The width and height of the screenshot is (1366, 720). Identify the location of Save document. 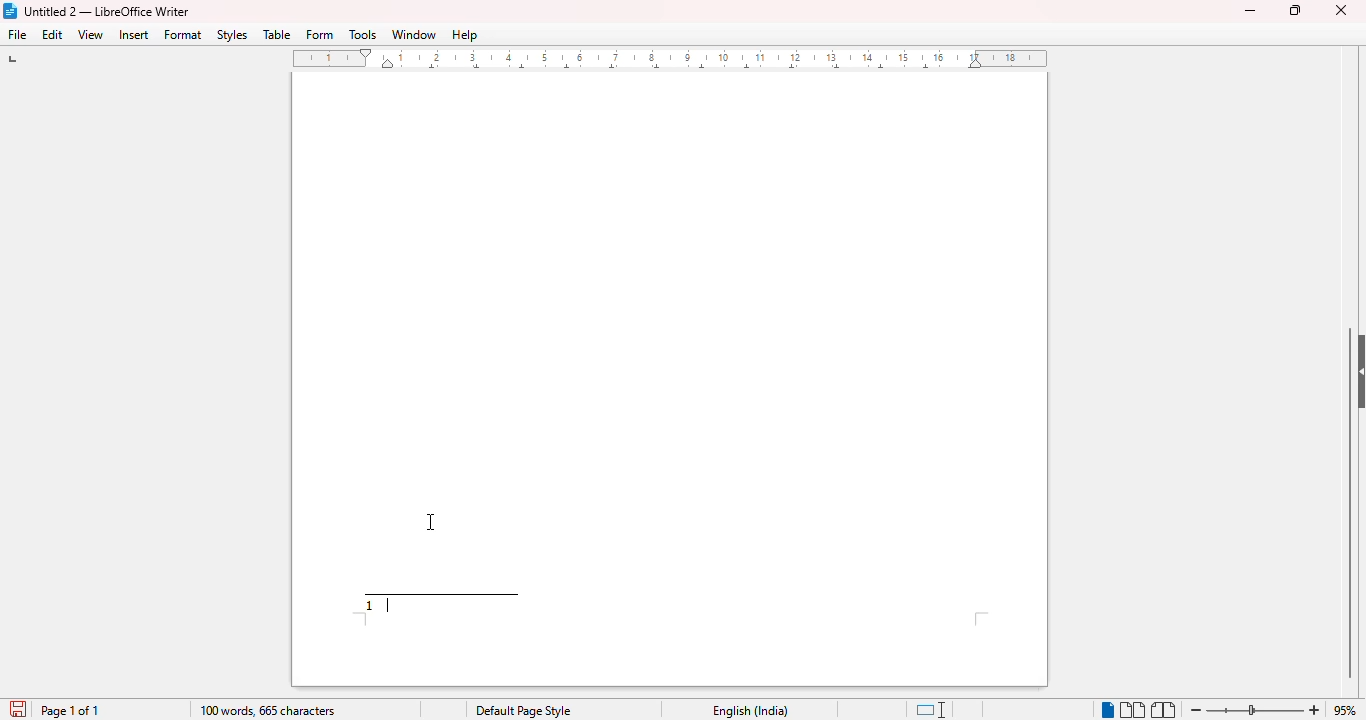
(16, 705).